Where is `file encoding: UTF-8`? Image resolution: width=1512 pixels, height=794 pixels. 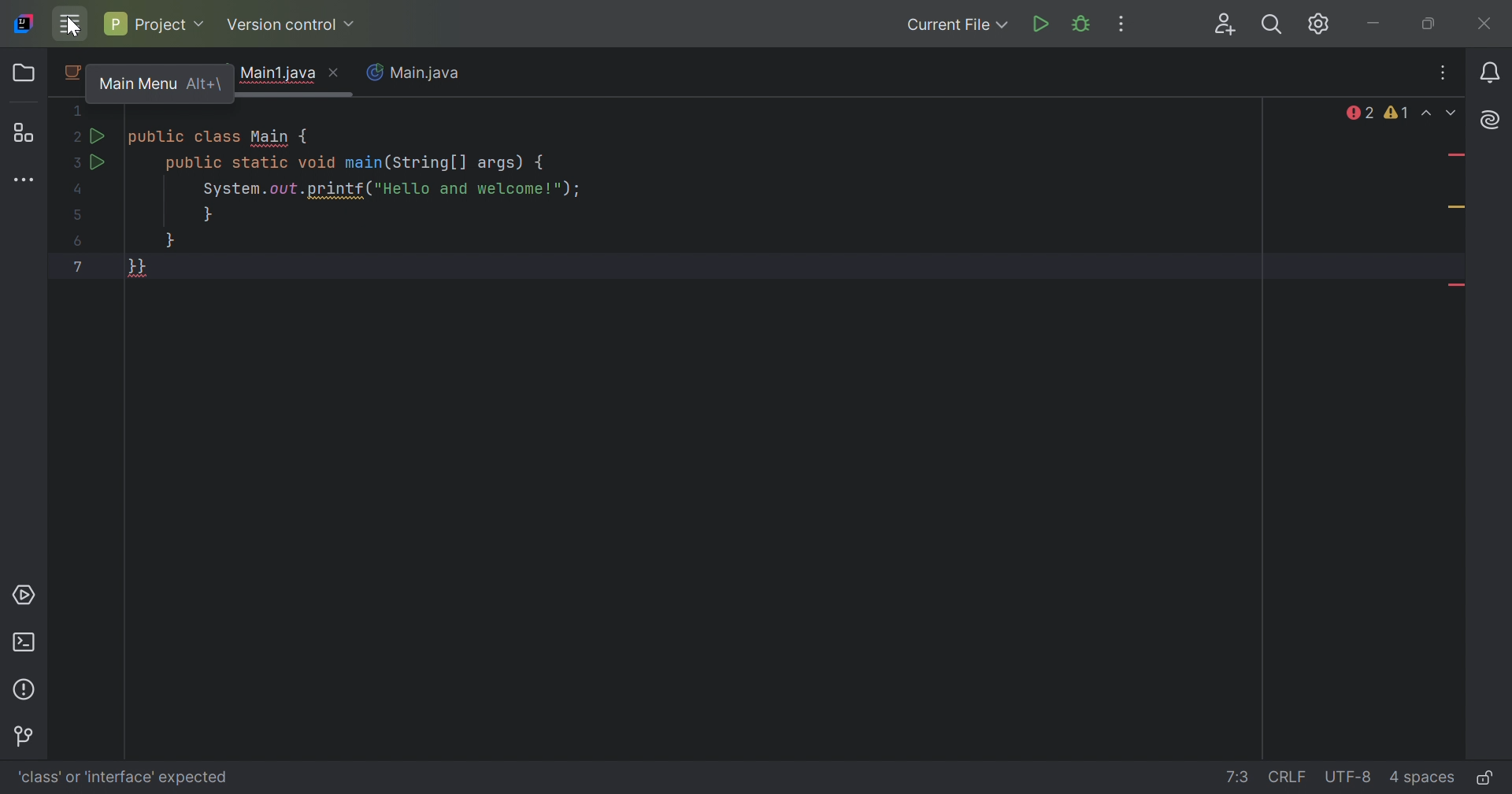 file encoding: UTF-8 is located at coordinates (1350, 777).